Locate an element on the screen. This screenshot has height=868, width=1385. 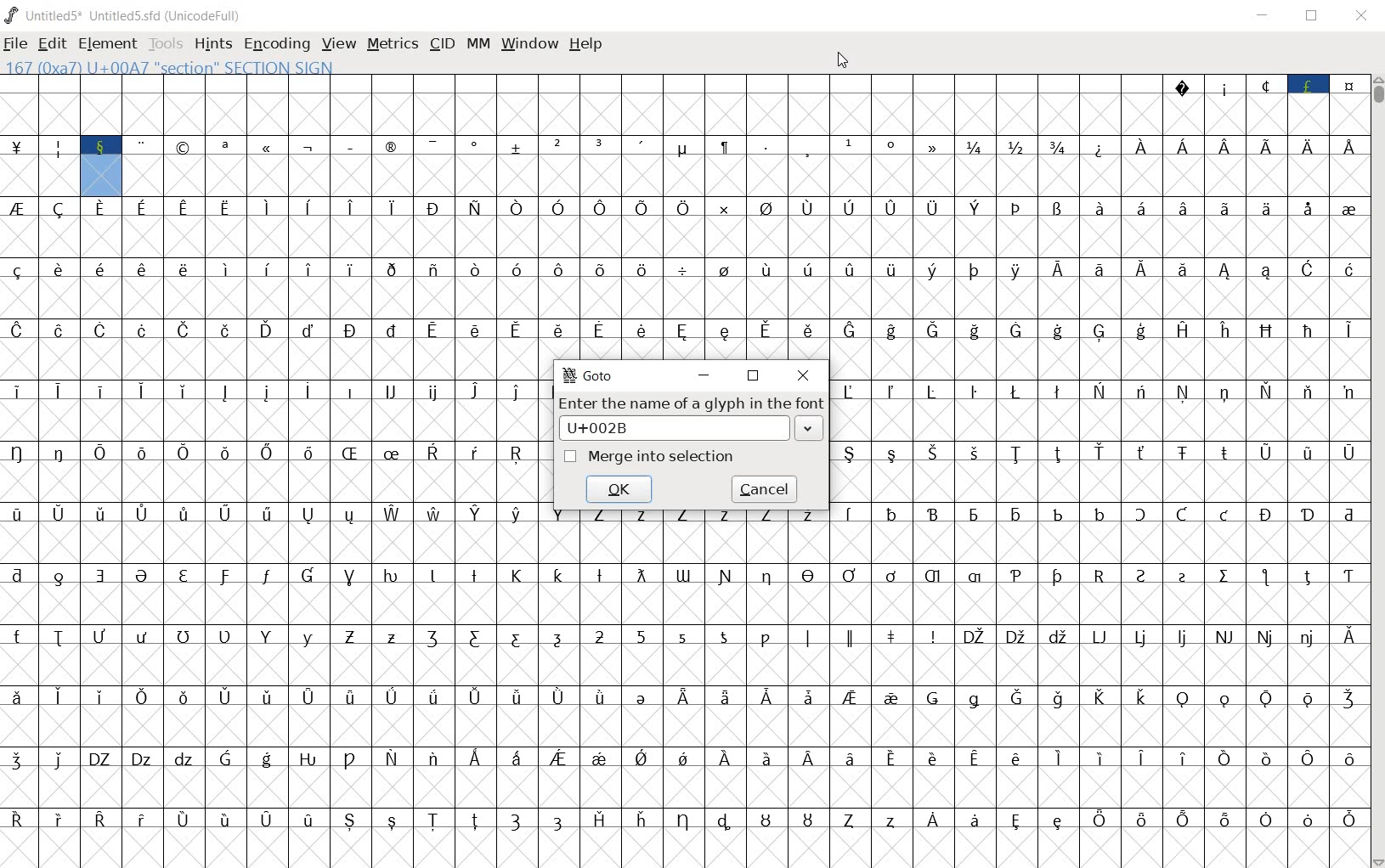
slot is located at coordinates (578, 104).